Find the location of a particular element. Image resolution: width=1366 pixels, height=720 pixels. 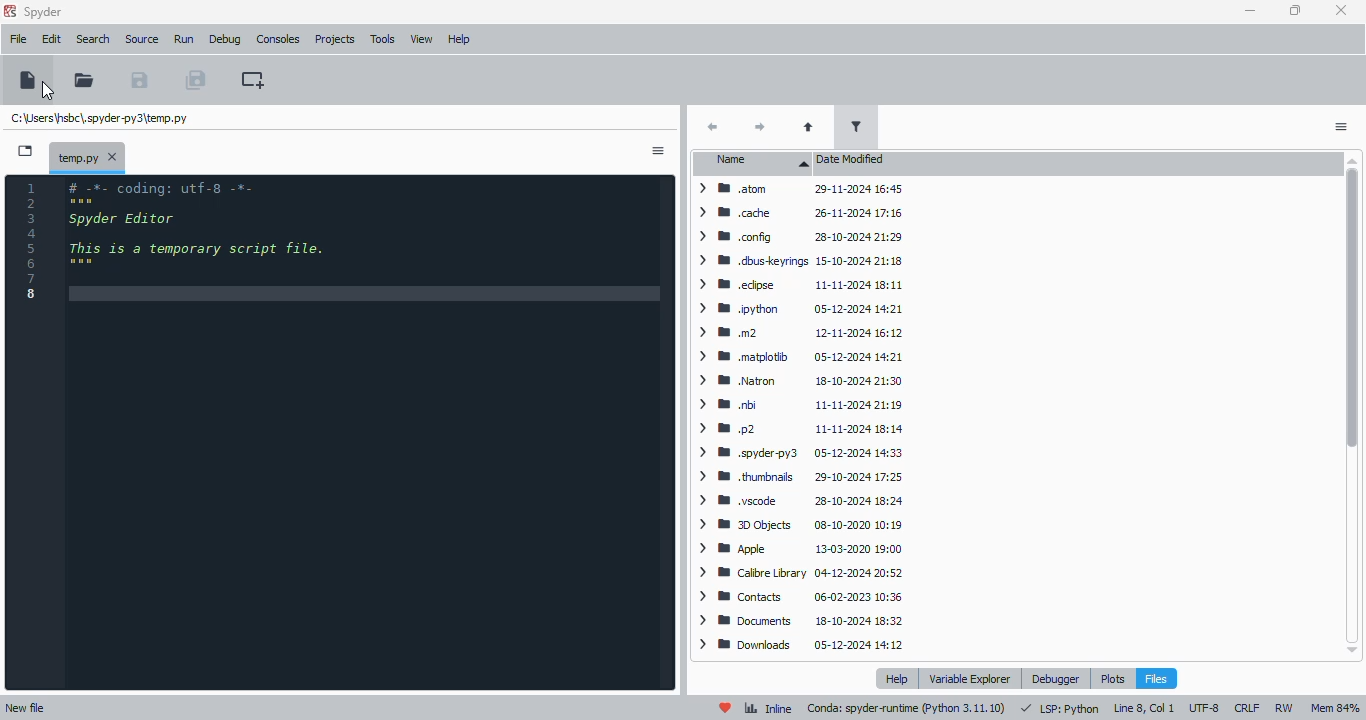

next is located at coordinates (762, 126).